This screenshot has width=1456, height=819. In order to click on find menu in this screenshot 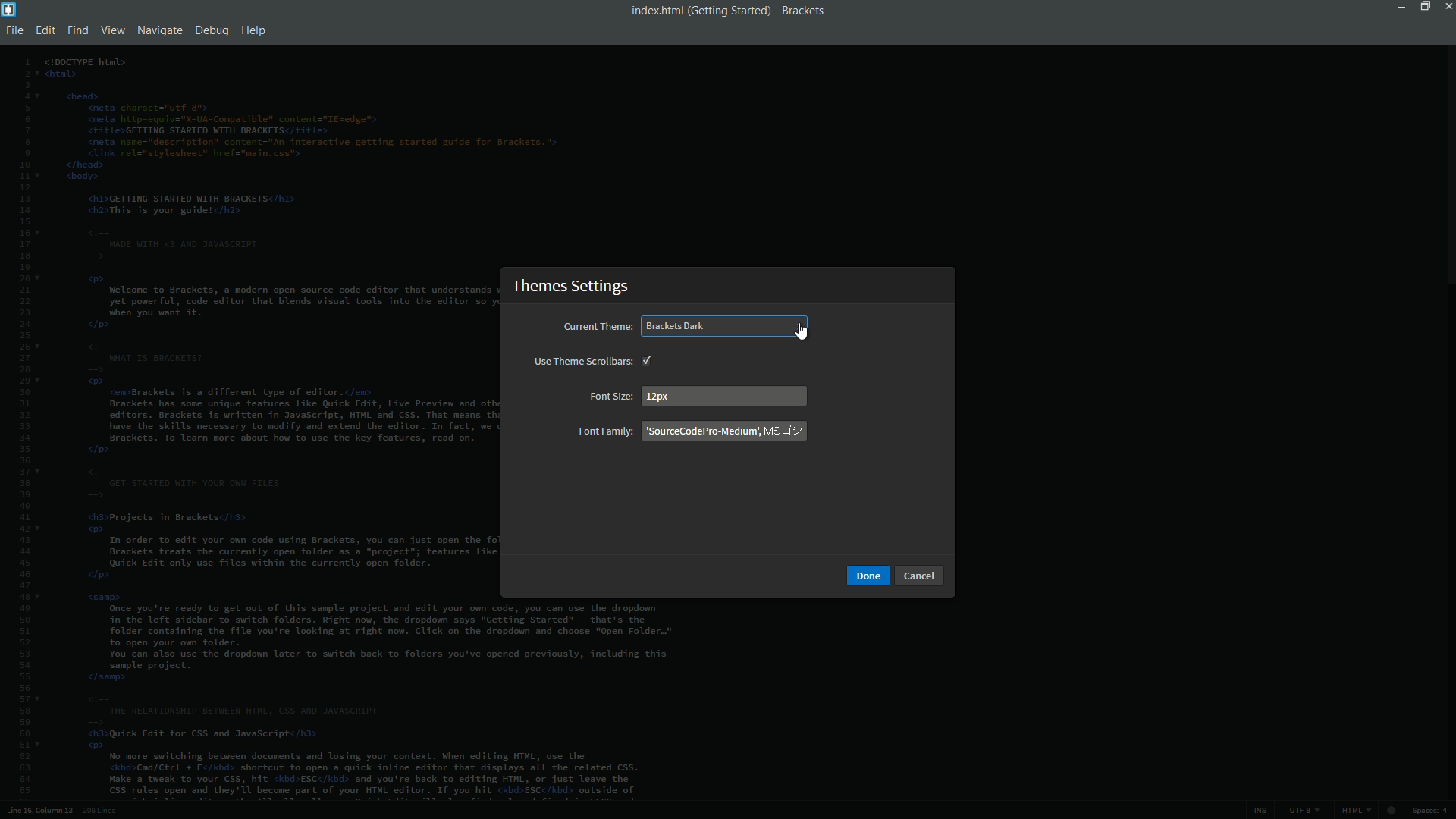, I will do `click(76, 31)`.